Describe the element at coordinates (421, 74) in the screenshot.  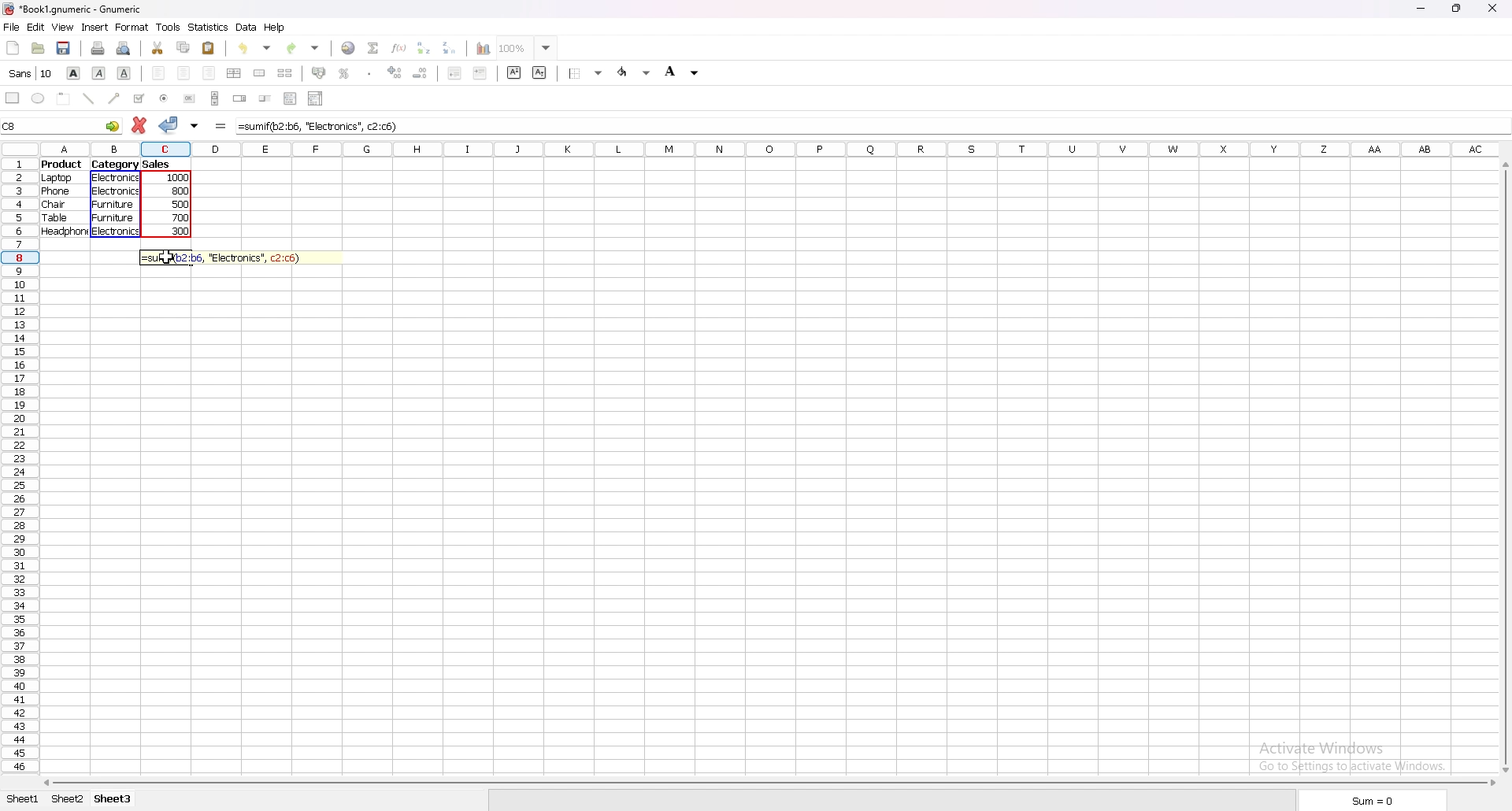
I see `decrease decimal points` at that location.